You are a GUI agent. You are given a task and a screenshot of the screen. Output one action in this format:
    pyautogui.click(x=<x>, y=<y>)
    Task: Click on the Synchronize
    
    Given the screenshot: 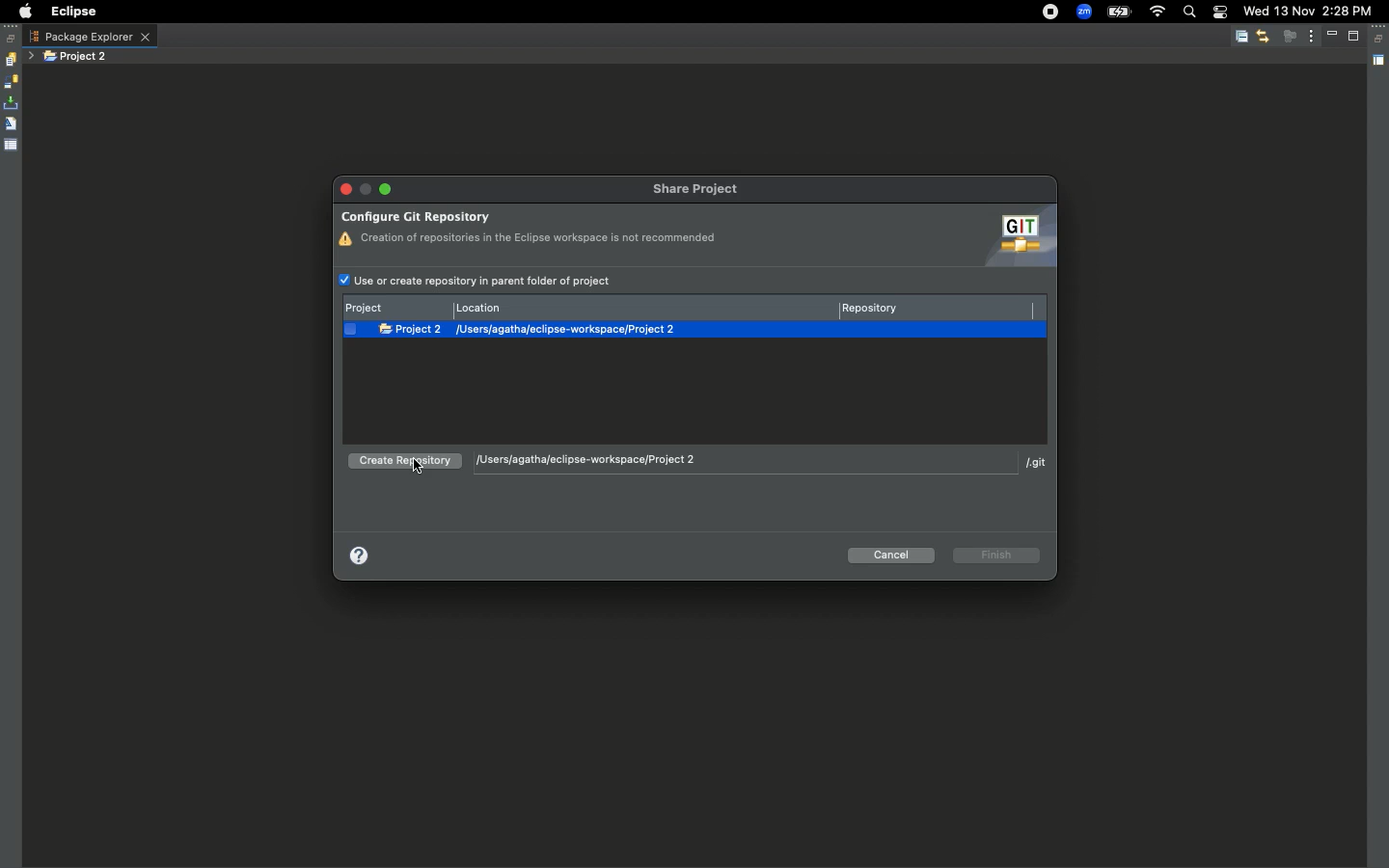 What is the action you would take?
    pyautogui.click(x=11, y=82)
    